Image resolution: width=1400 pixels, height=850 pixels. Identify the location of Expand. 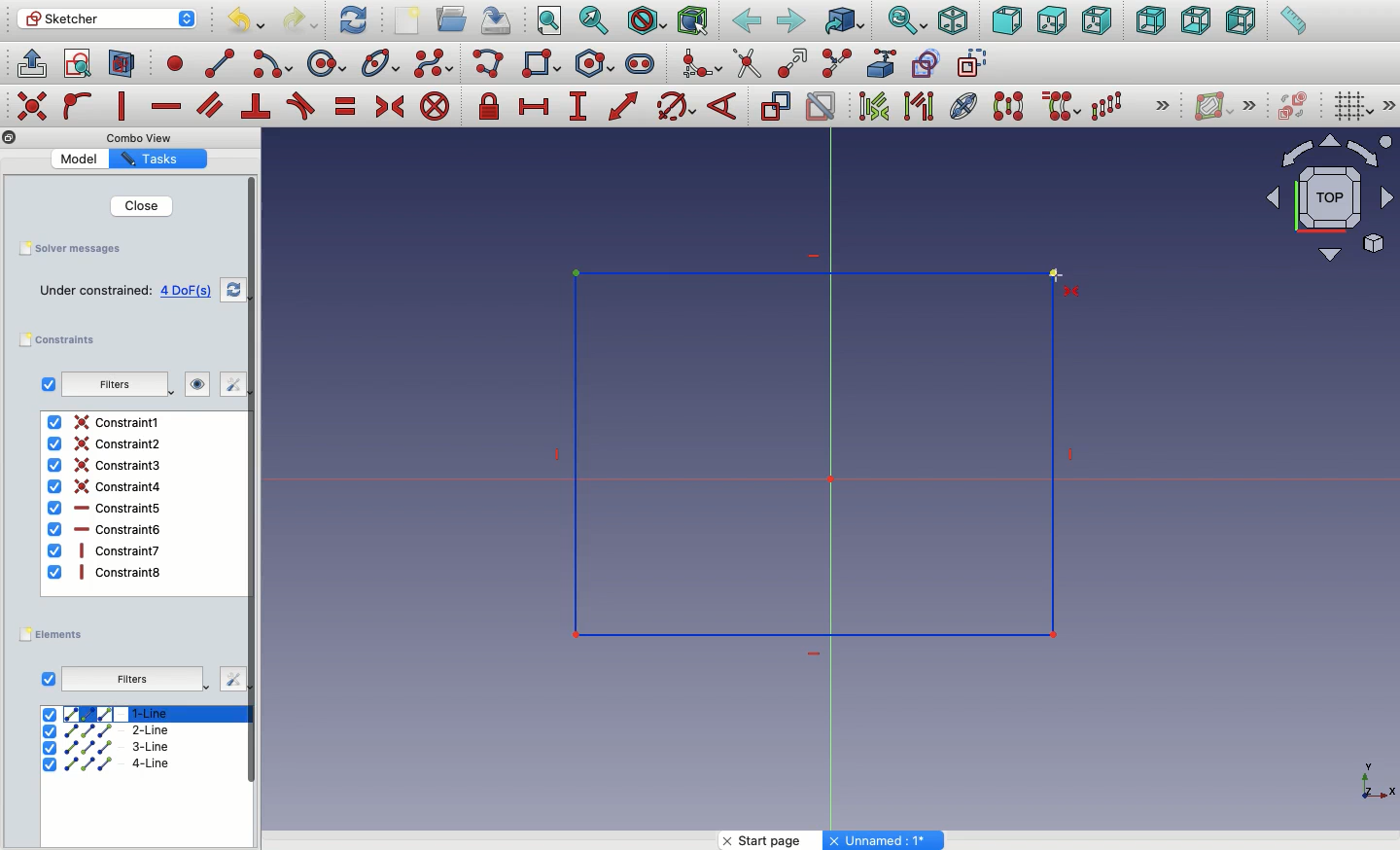
(1250, 105).